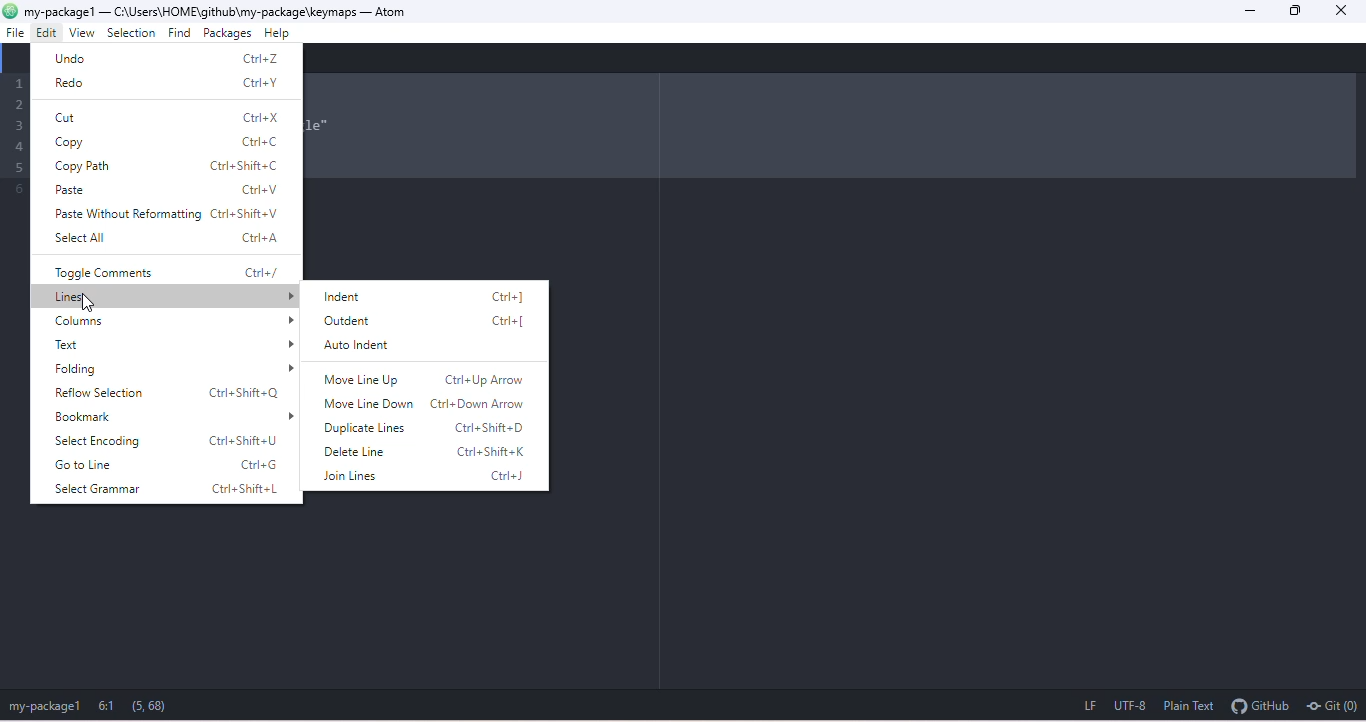  Describe the element at coordinates (175, 488) in the screenshot. I see `select grammar` at that location.